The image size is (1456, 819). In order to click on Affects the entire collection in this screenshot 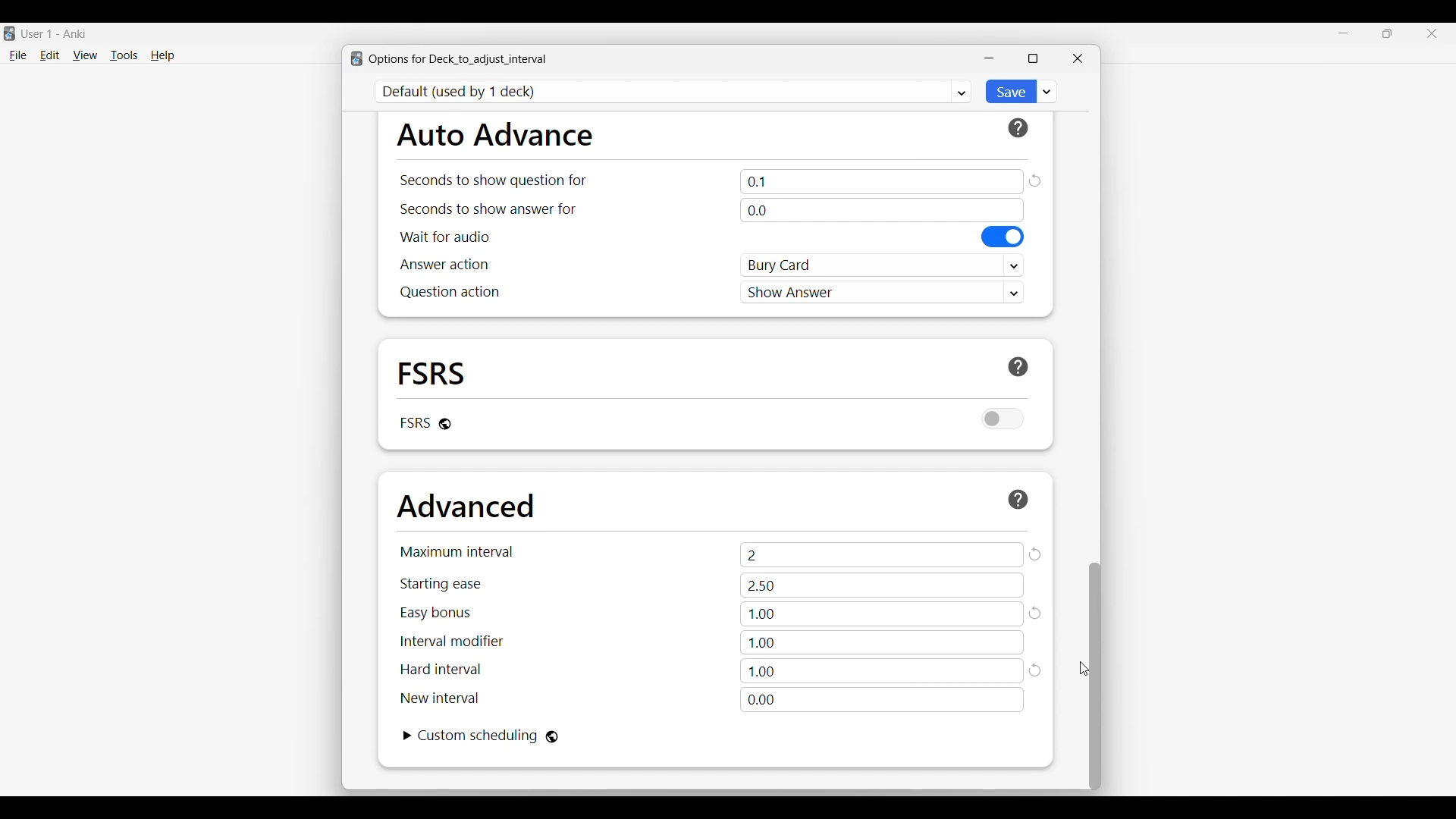, I will do `click(552, 737)`.